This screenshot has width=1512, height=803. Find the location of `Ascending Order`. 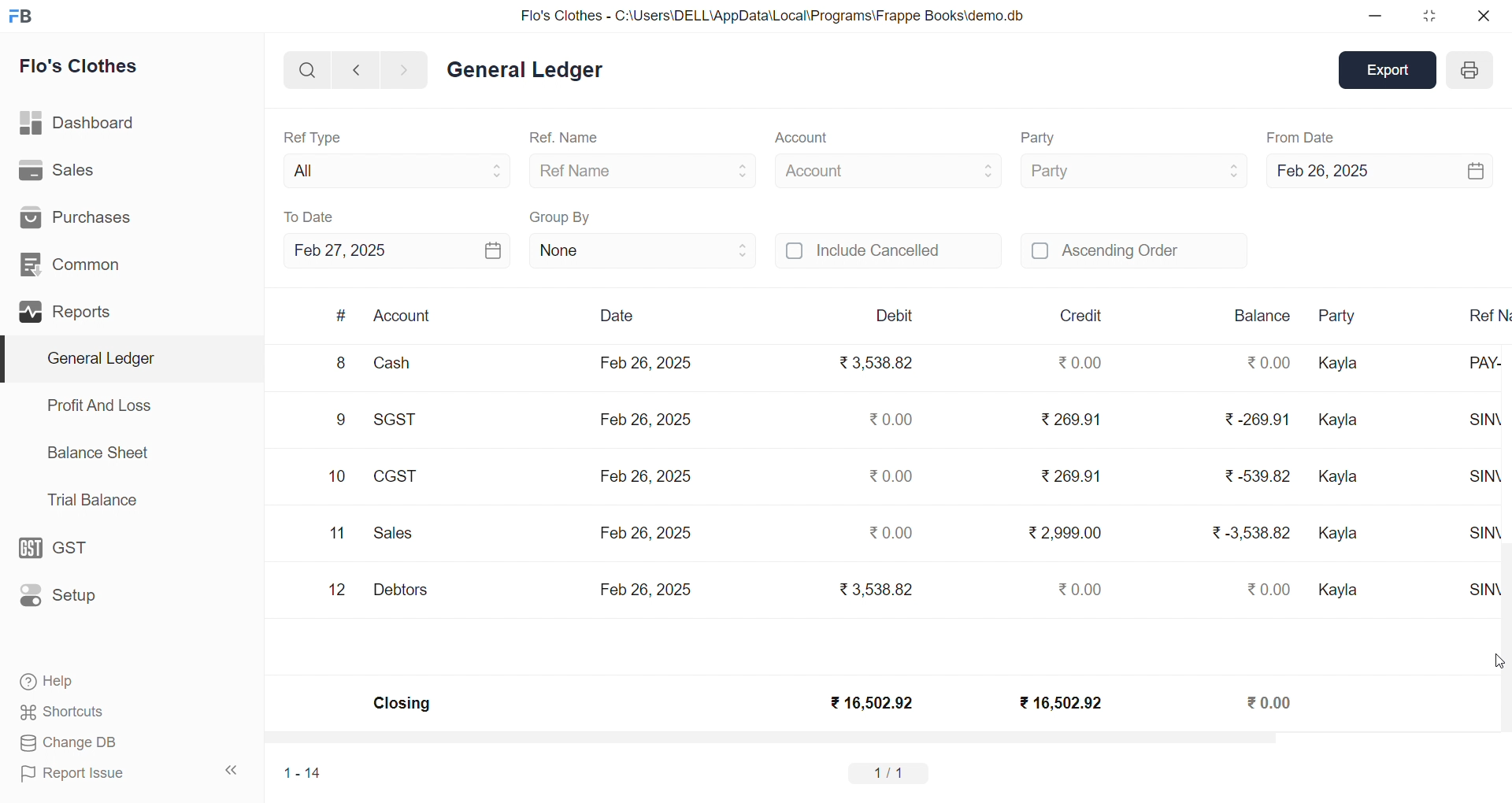

Ascending Order is located at coordinates (1134, 249).